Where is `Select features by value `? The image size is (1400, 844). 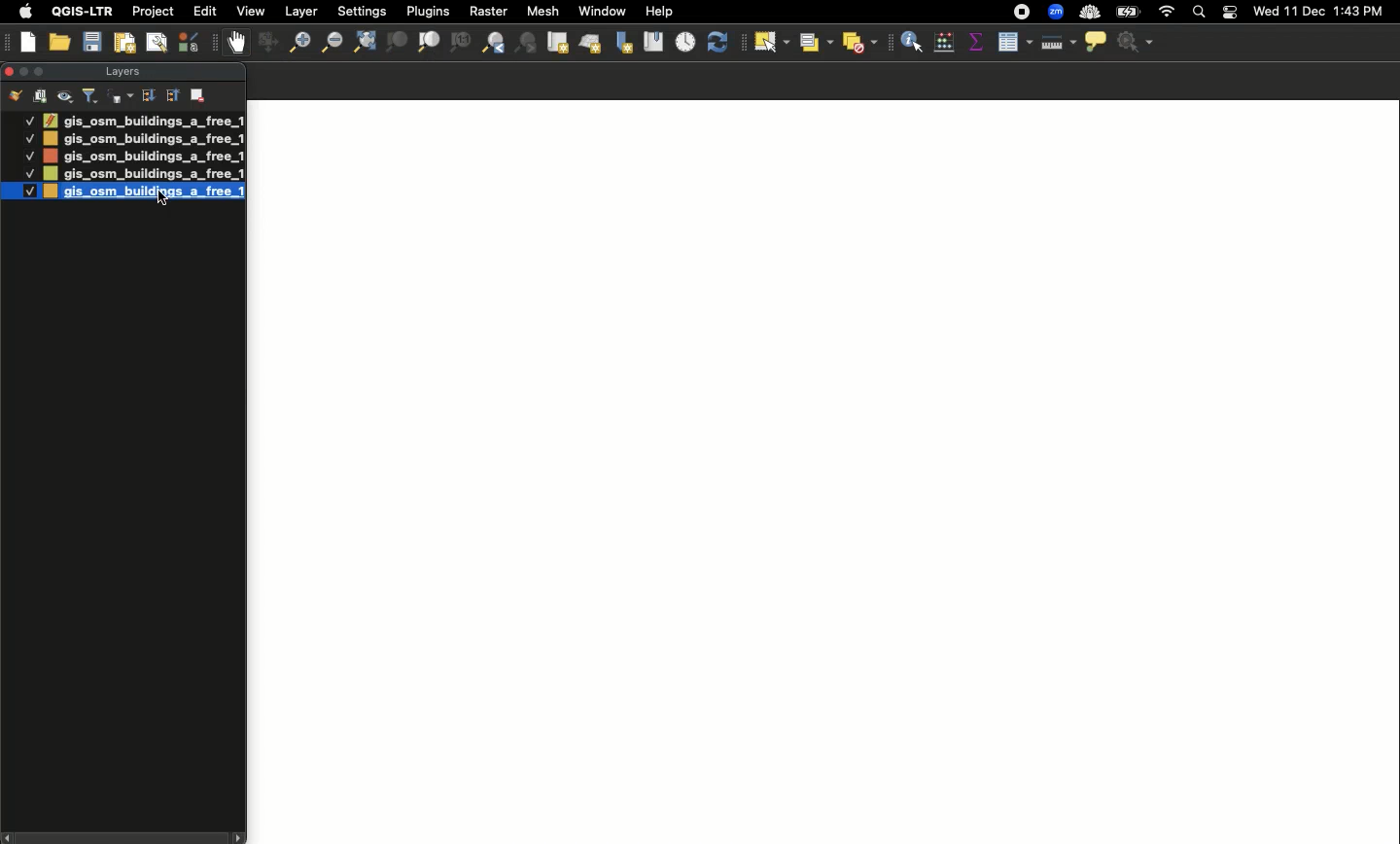 Select features by value  is located at coordinates (814, 42).